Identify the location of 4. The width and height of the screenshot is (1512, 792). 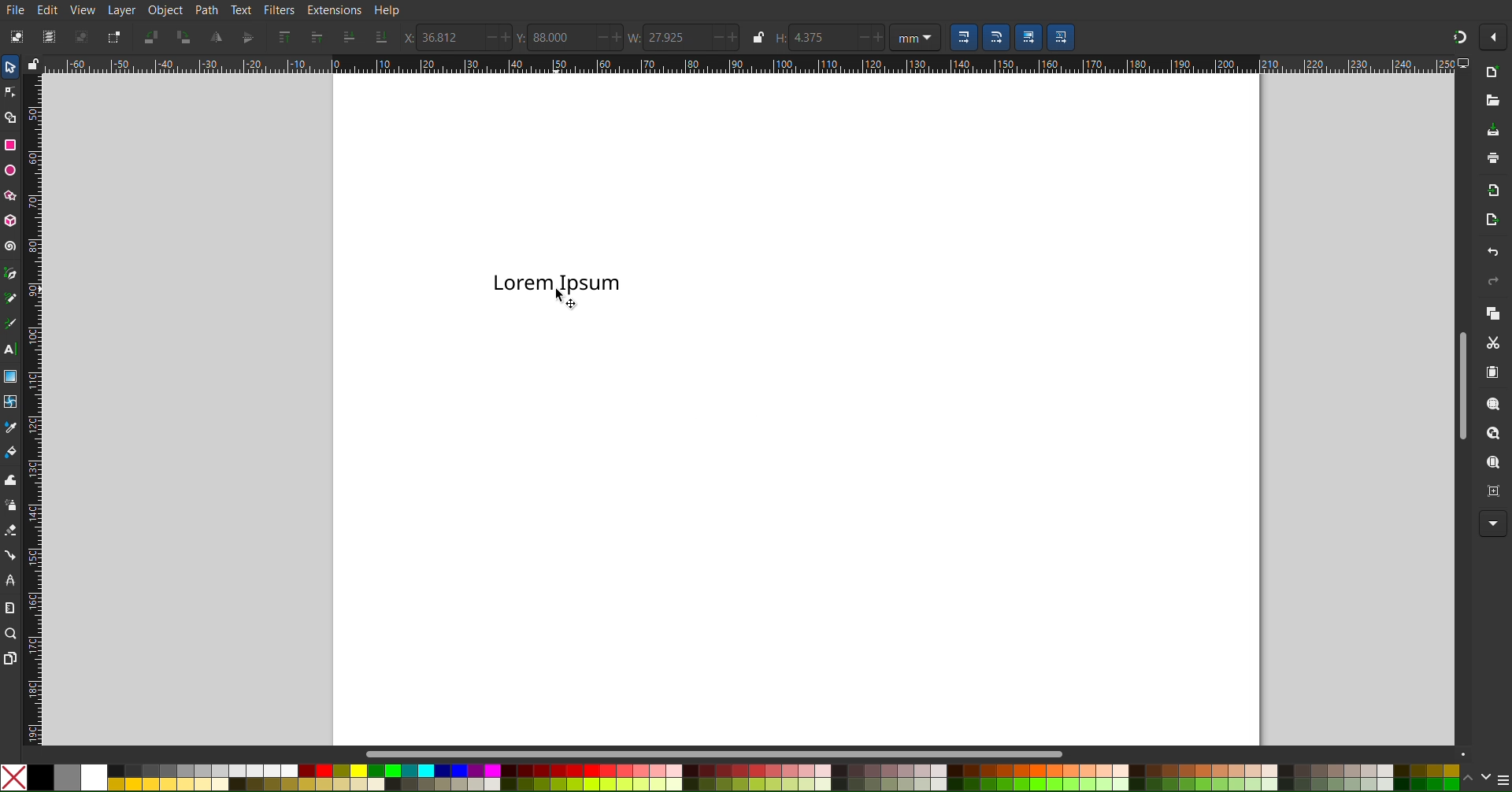
(813, 36).